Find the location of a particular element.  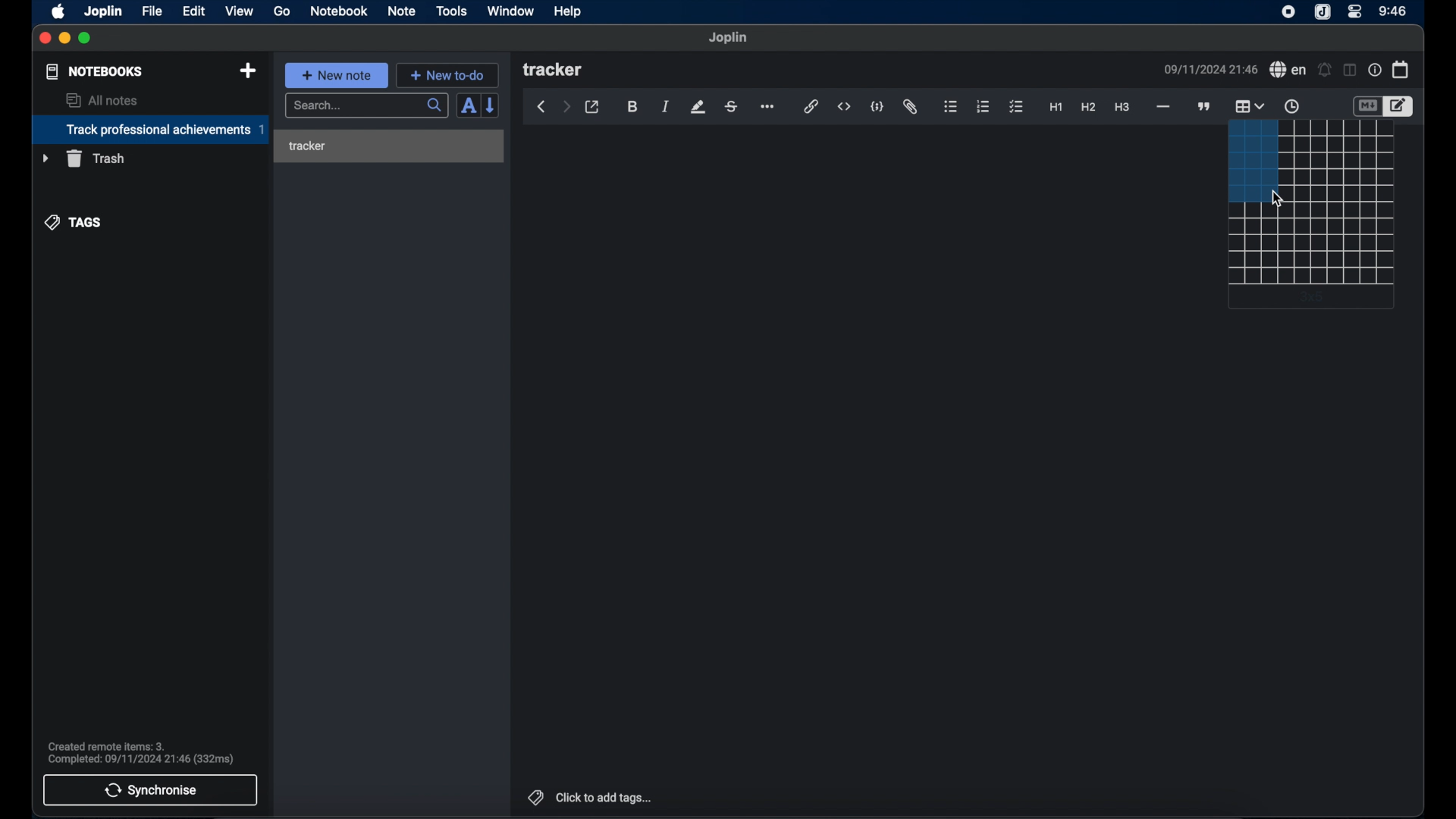

block quote is located at coordinates (1205, 106).